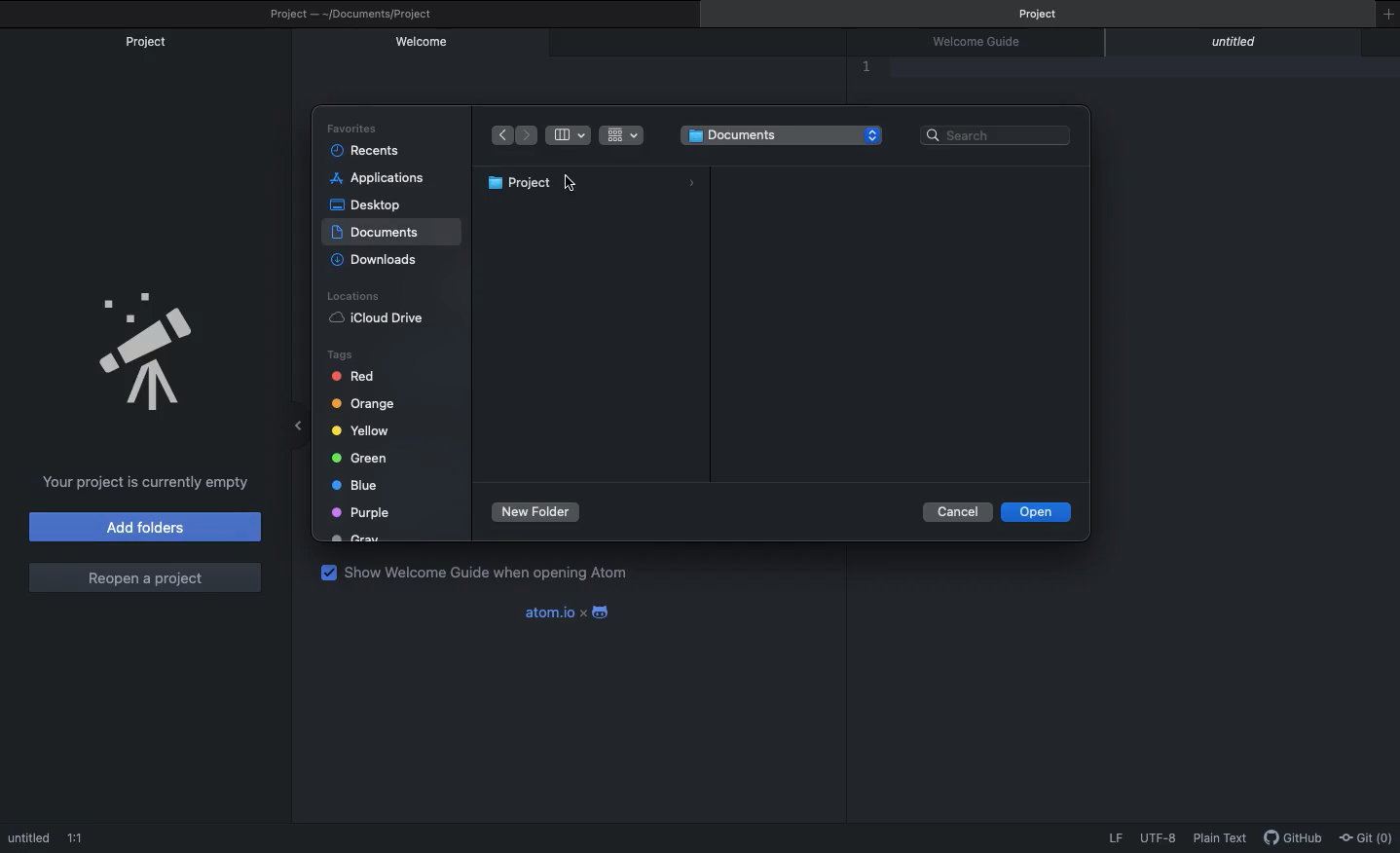  What do you see at coordinates (1045, 16) in the screenshot?
I see `Project` at bounding box center [1045, 16].